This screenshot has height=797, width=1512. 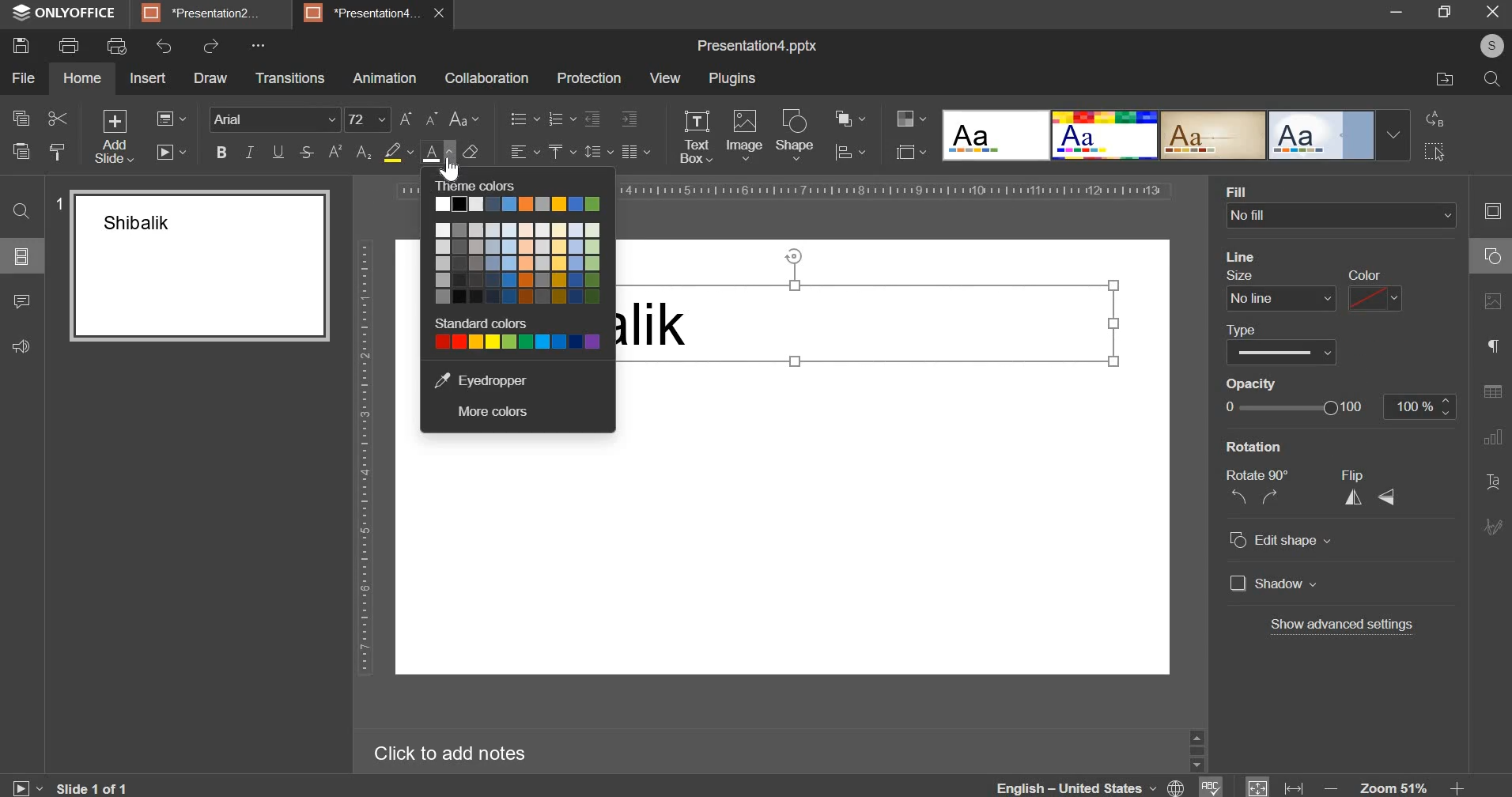 What do you see at coordinates (1438, 119) in the screenshot?
I see `replace` at bounding box center [1438, 119].